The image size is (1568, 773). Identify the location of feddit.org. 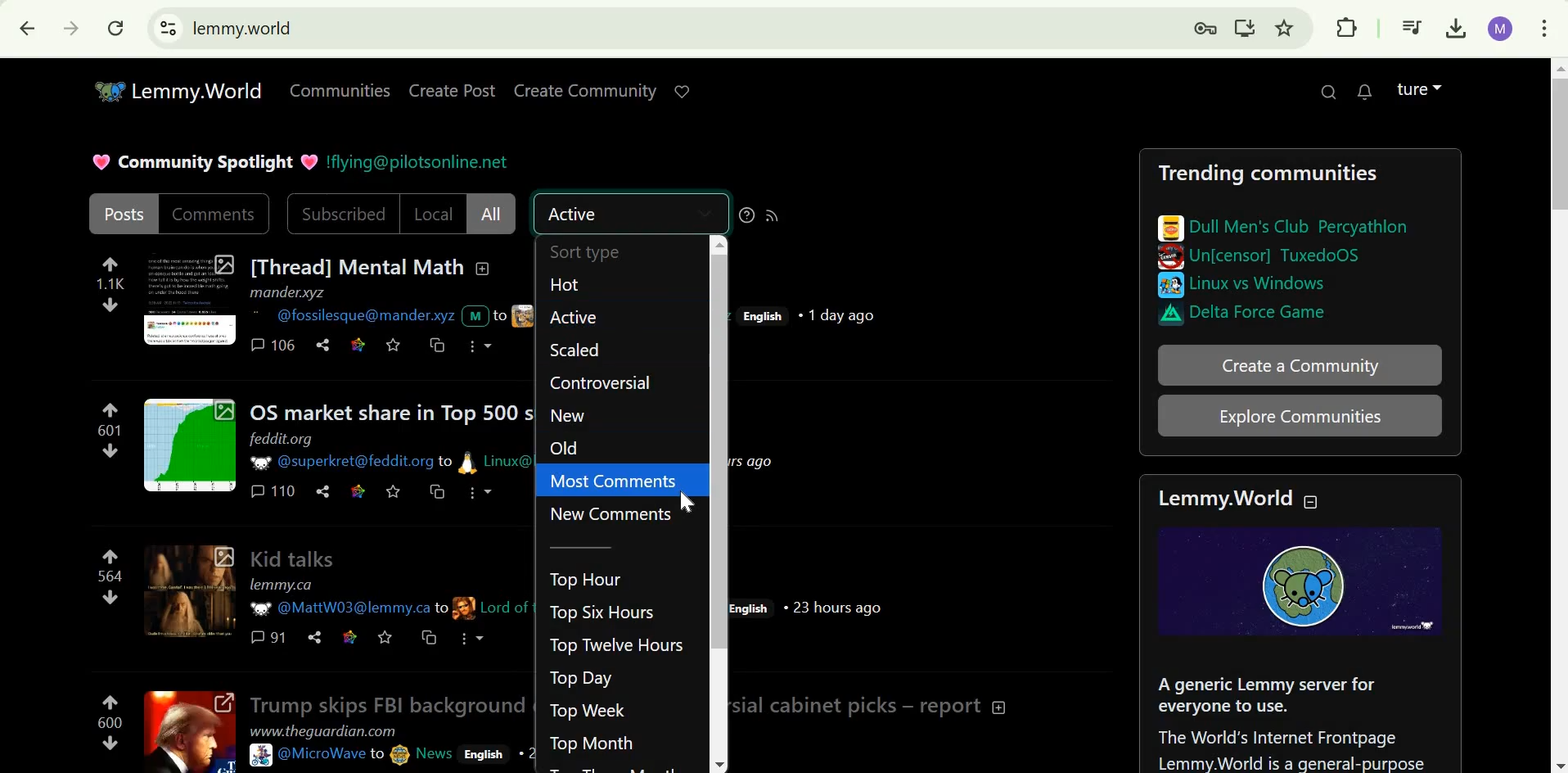
(282, 439).